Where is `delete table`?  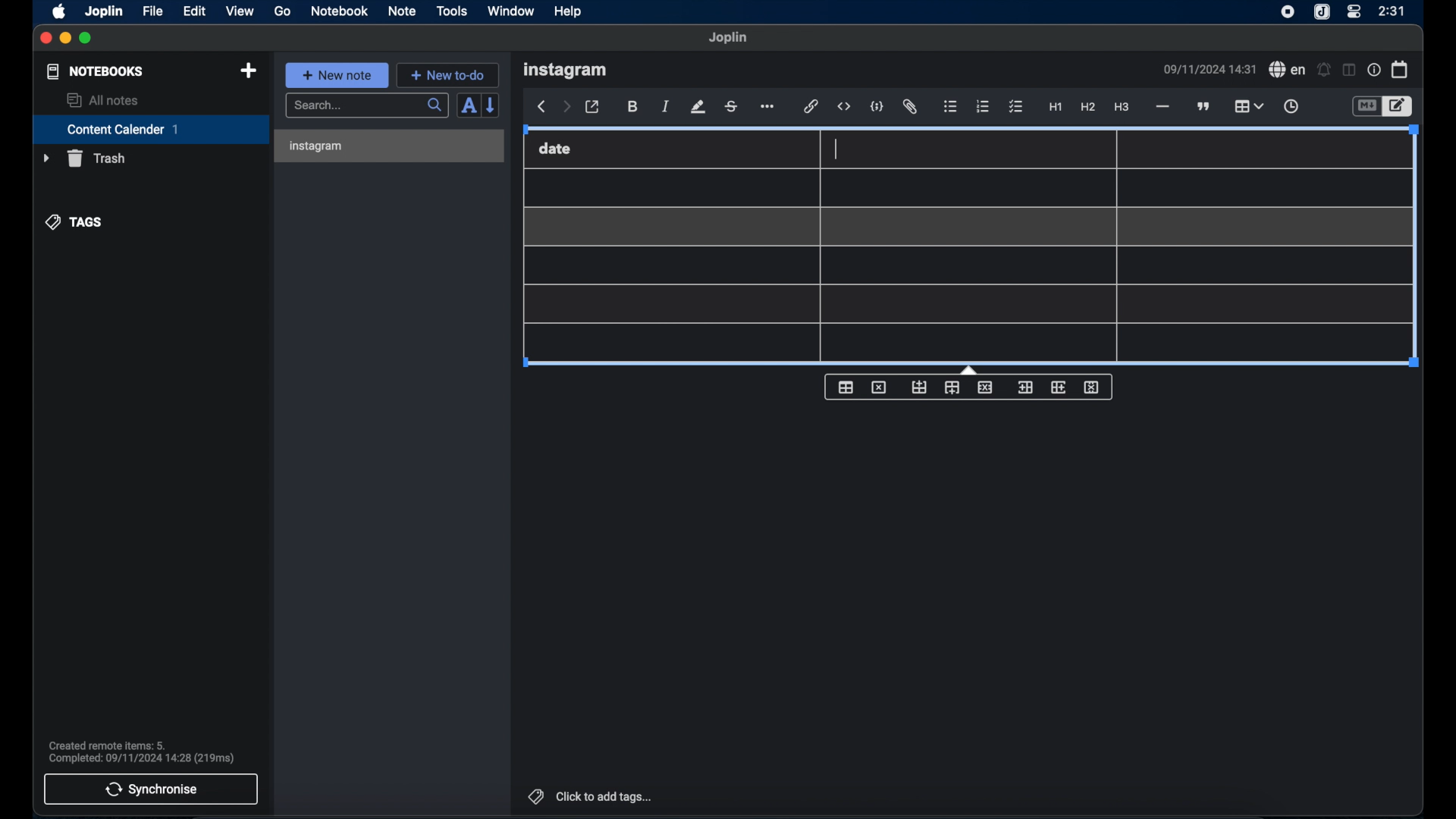
delete table is located at coordinates (879, 387).